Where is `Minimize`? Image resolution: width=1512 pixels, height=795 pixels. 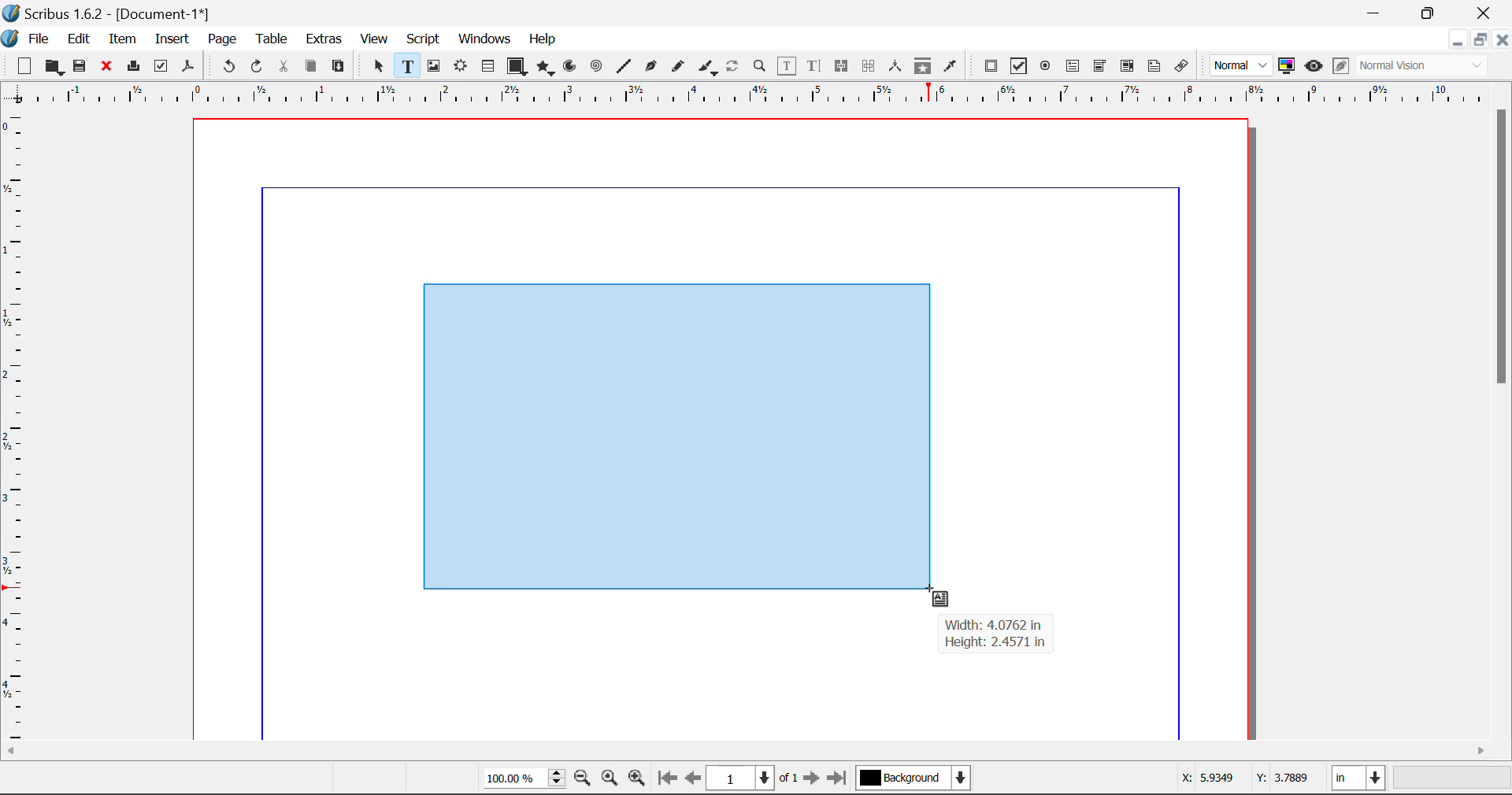 Minimize is located at coordinates (1431, 12).